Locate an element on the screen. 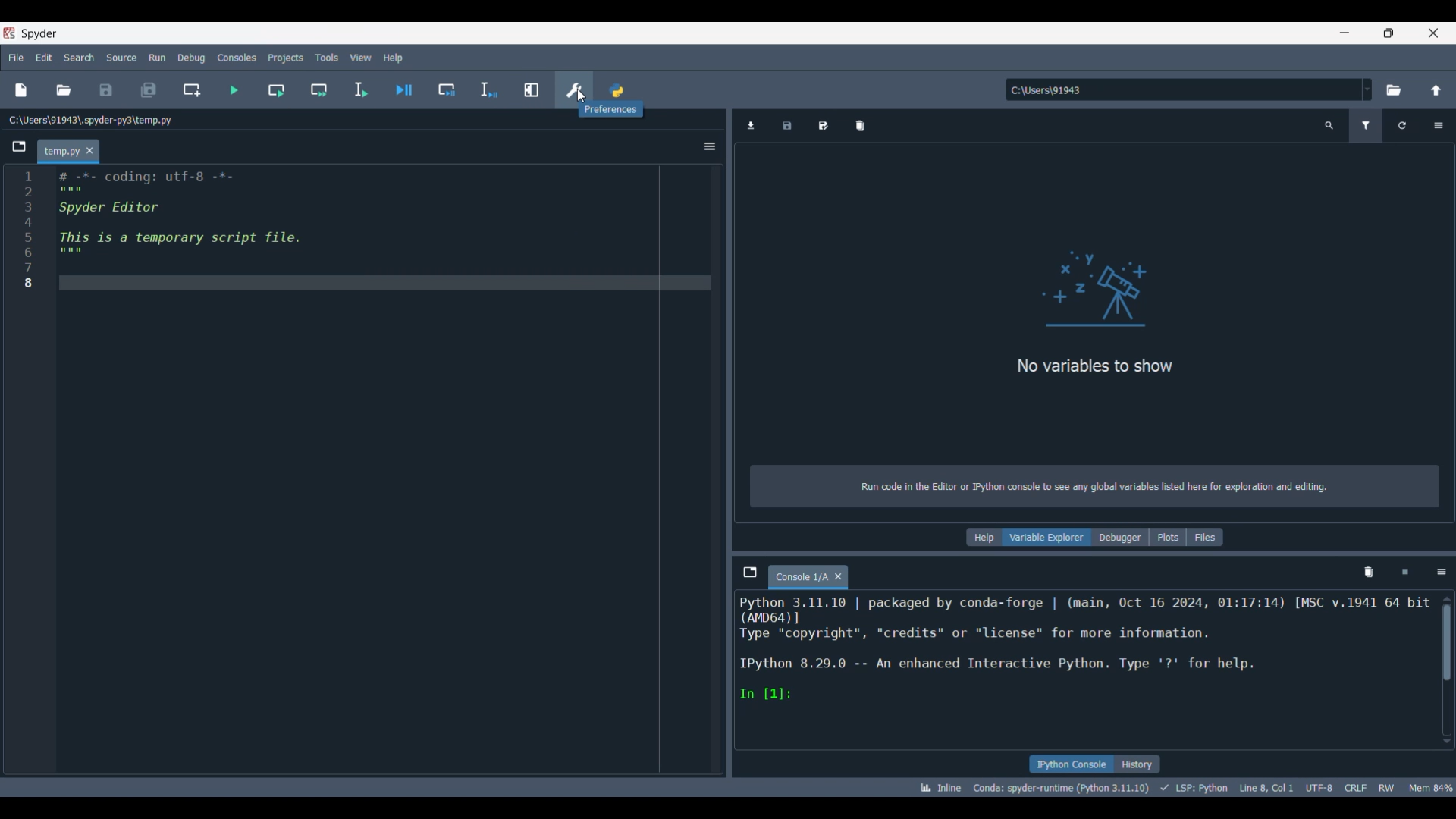 Image resolution: width=1456 pixels, height=819 pixels. Enter location is located at coordinates (1182, 89).